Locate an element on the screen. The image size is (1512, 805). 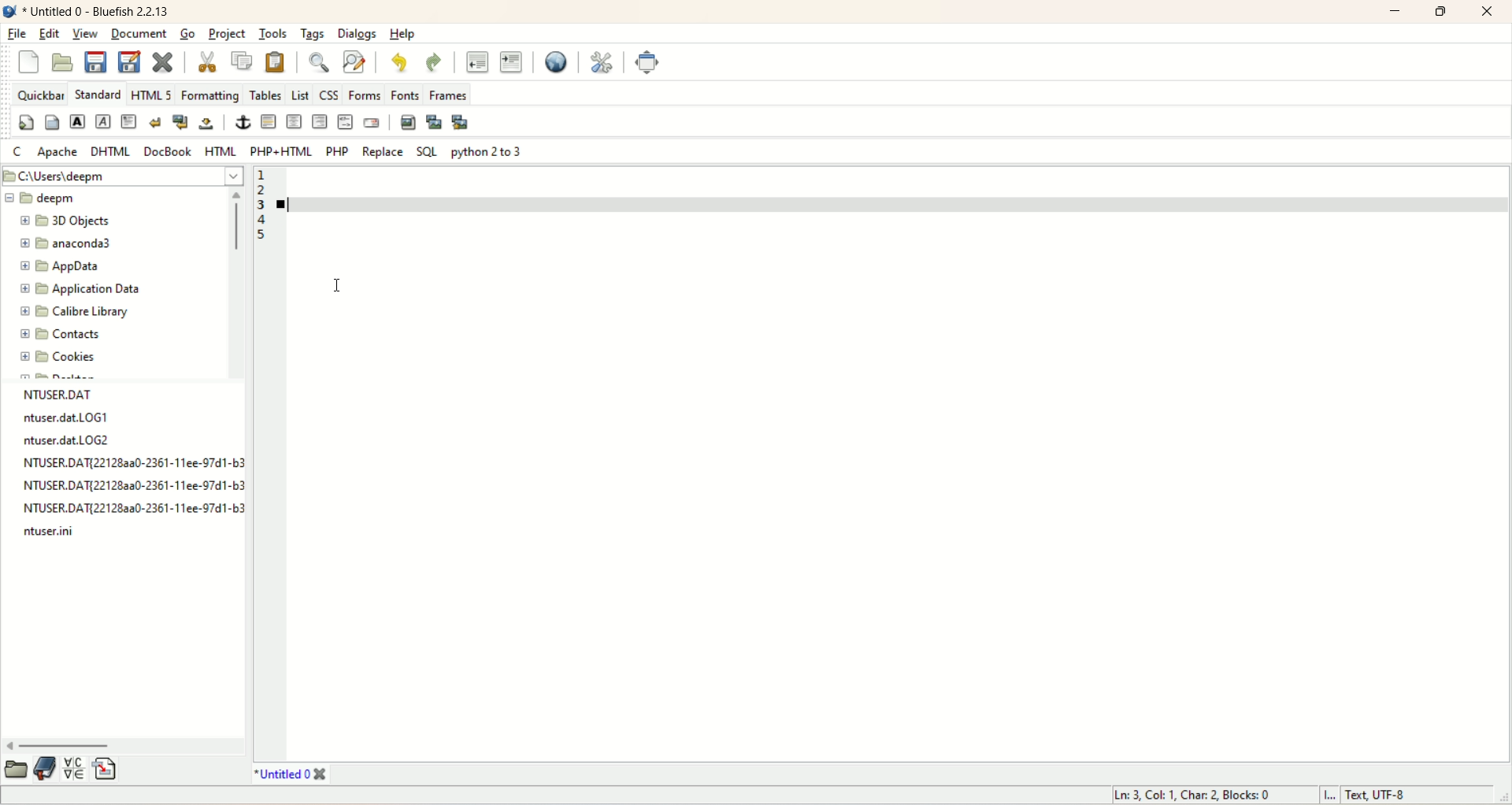
app data is located at coordinates (61, 267).